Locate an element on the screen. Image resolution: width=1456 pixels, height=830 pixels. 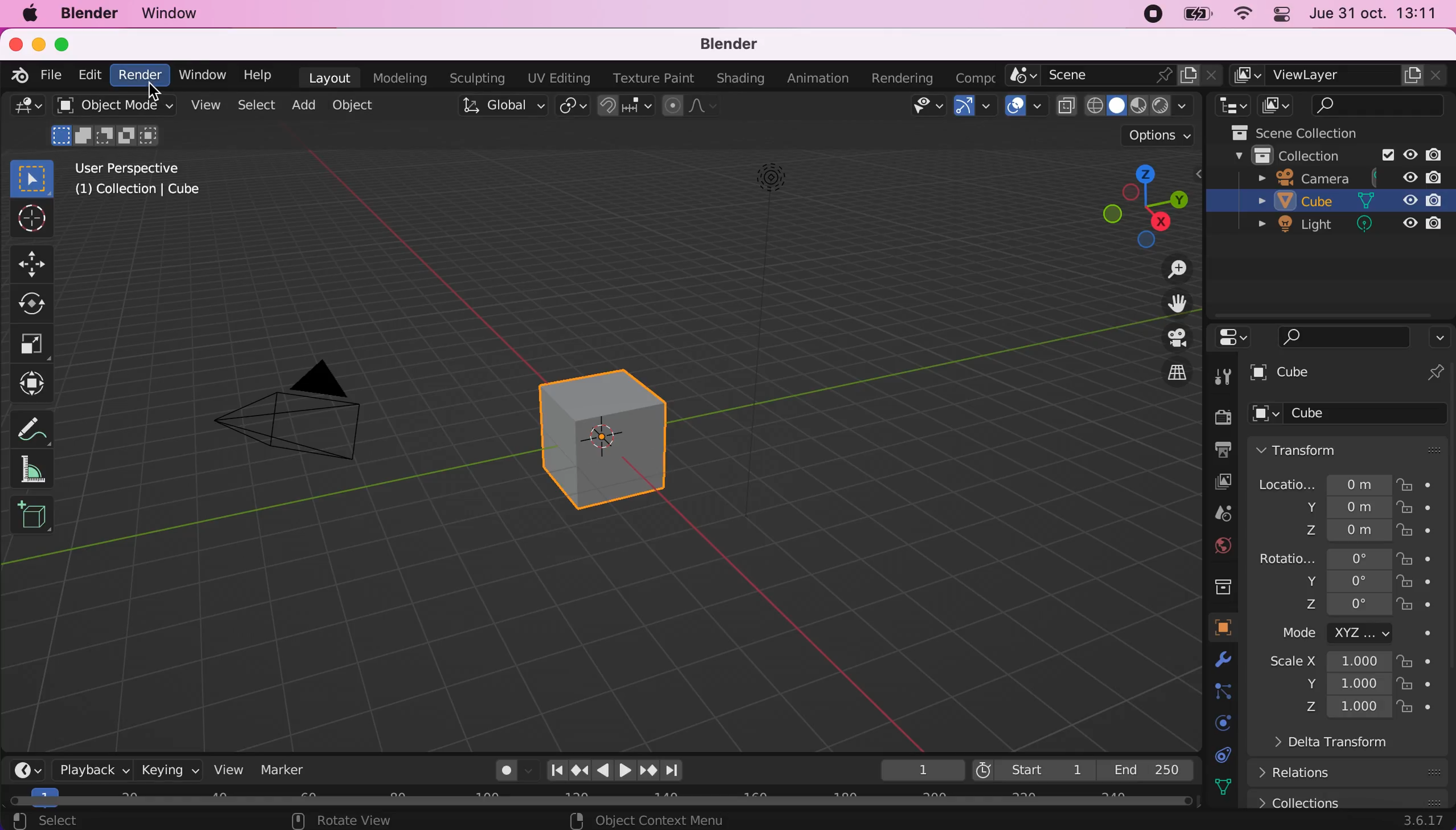
blender is located at coordinates (15, 75).